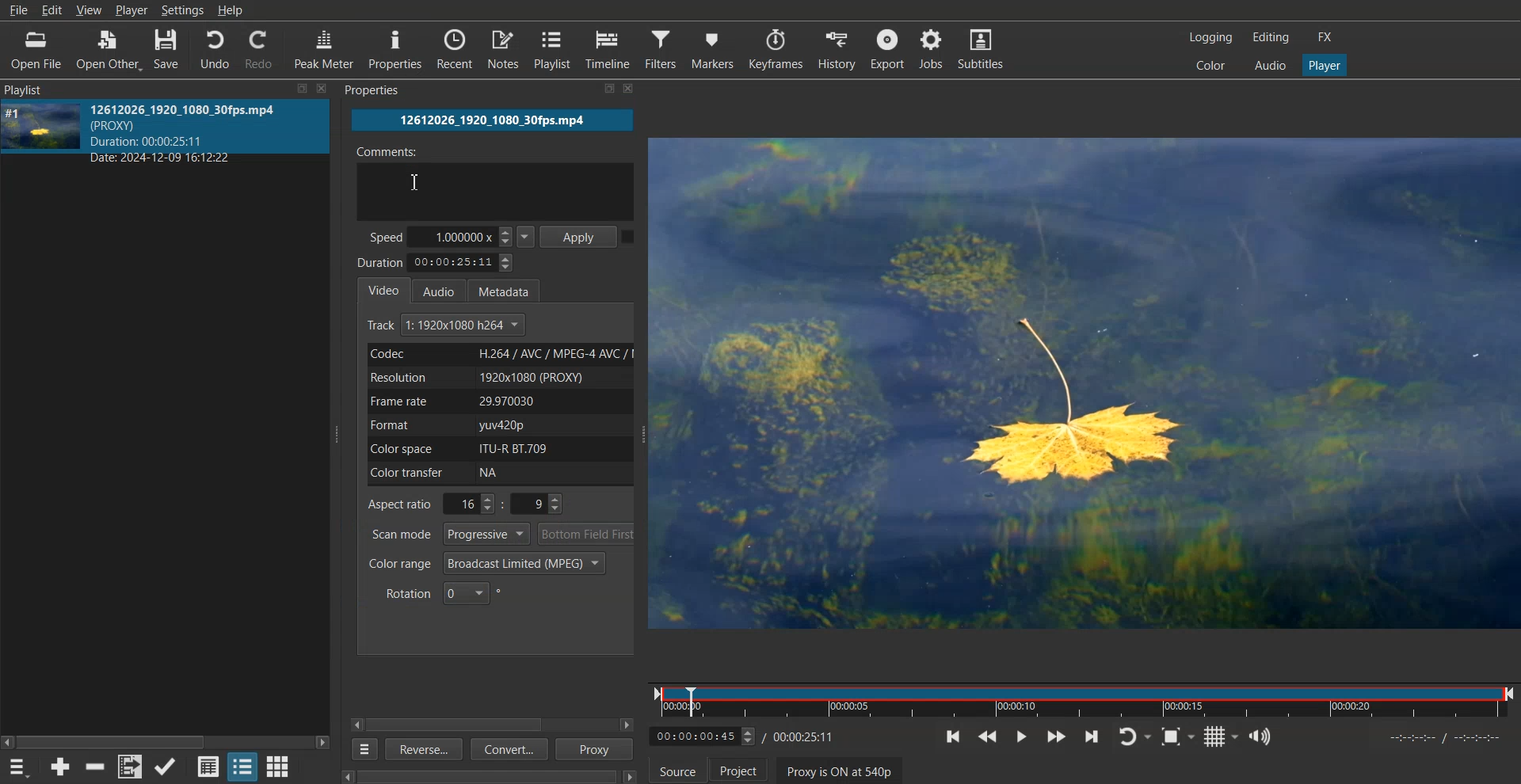 This screenshot has width=1521, height=784. Describe the element at coordinates (208, 766) in the screenshot. I see `View as detail` at that location.